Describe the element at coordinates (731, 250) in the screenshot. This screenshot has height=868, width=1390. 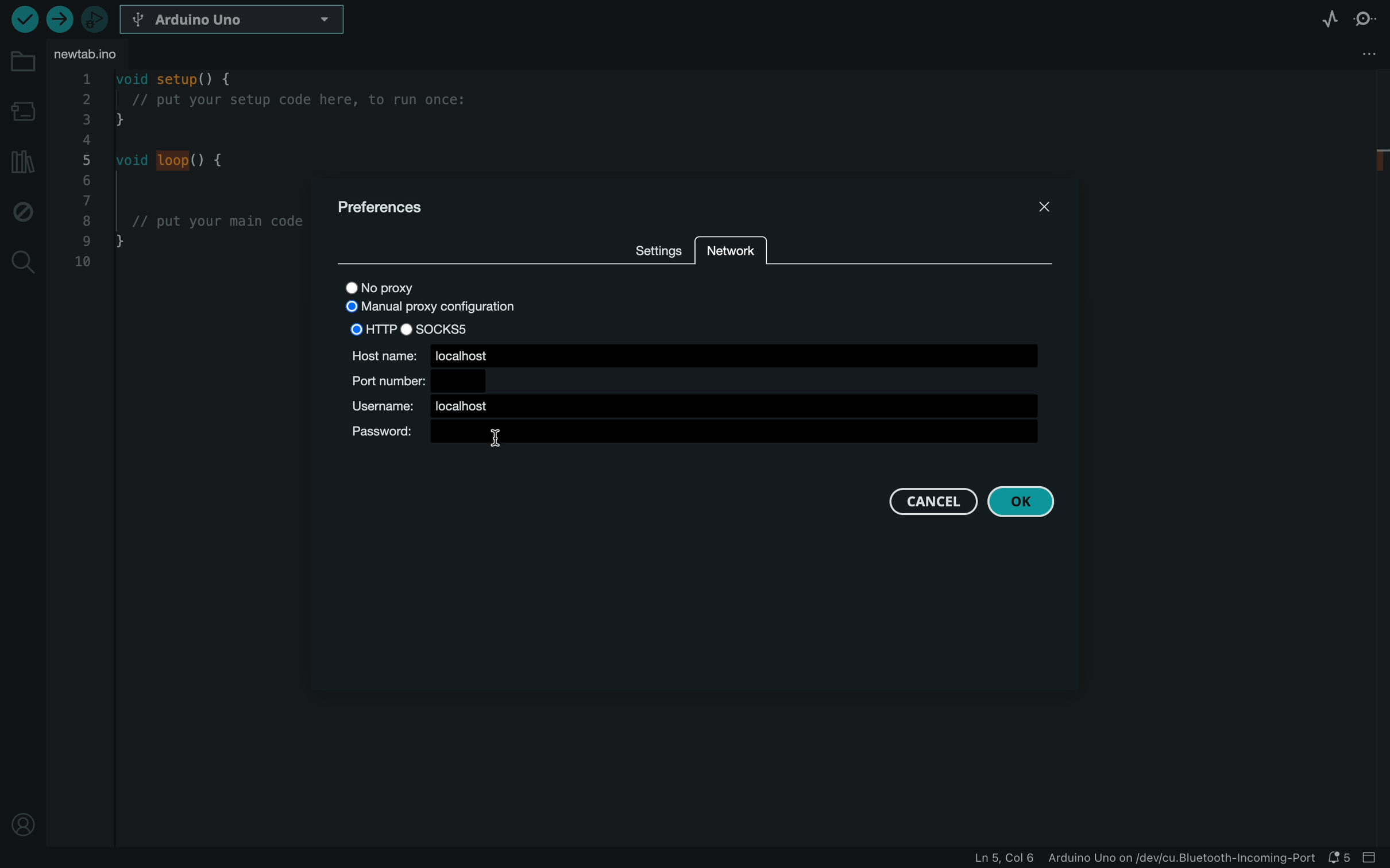
I see `NETWORK` at that location.